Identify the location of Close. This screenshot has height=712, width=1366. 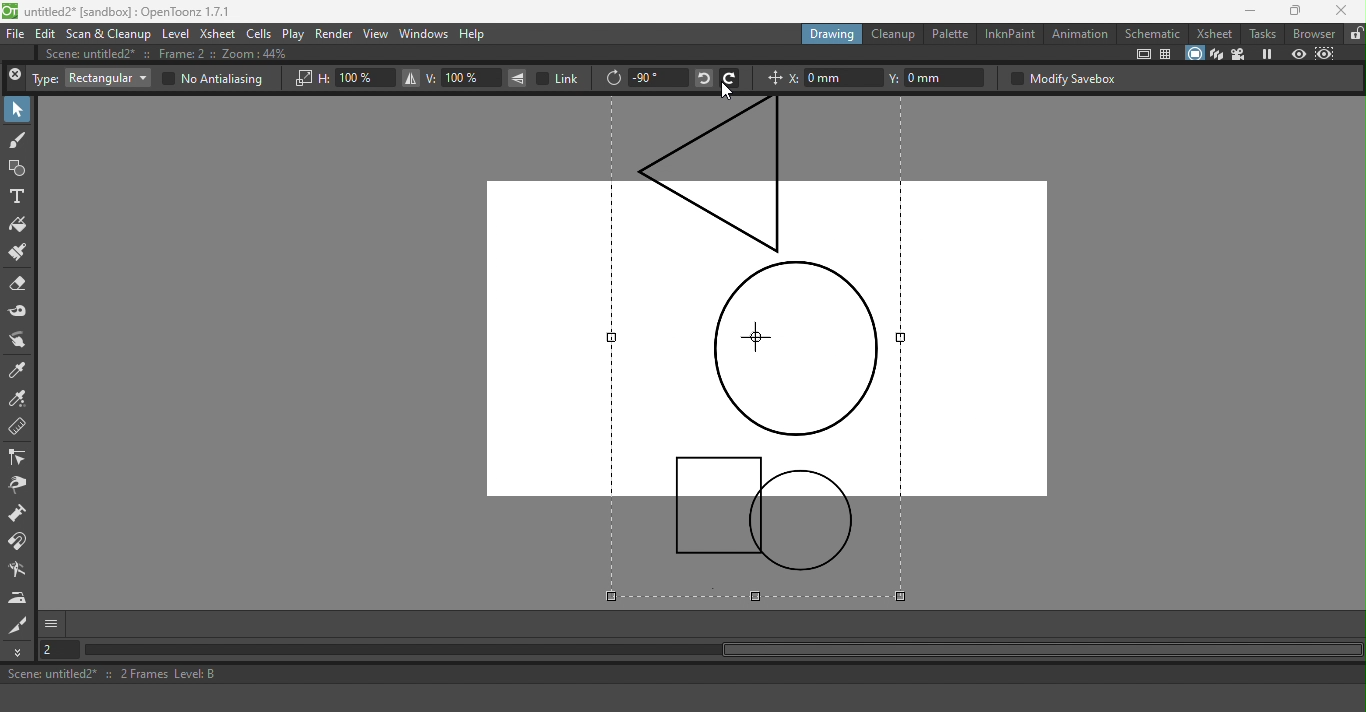
(15, 77).